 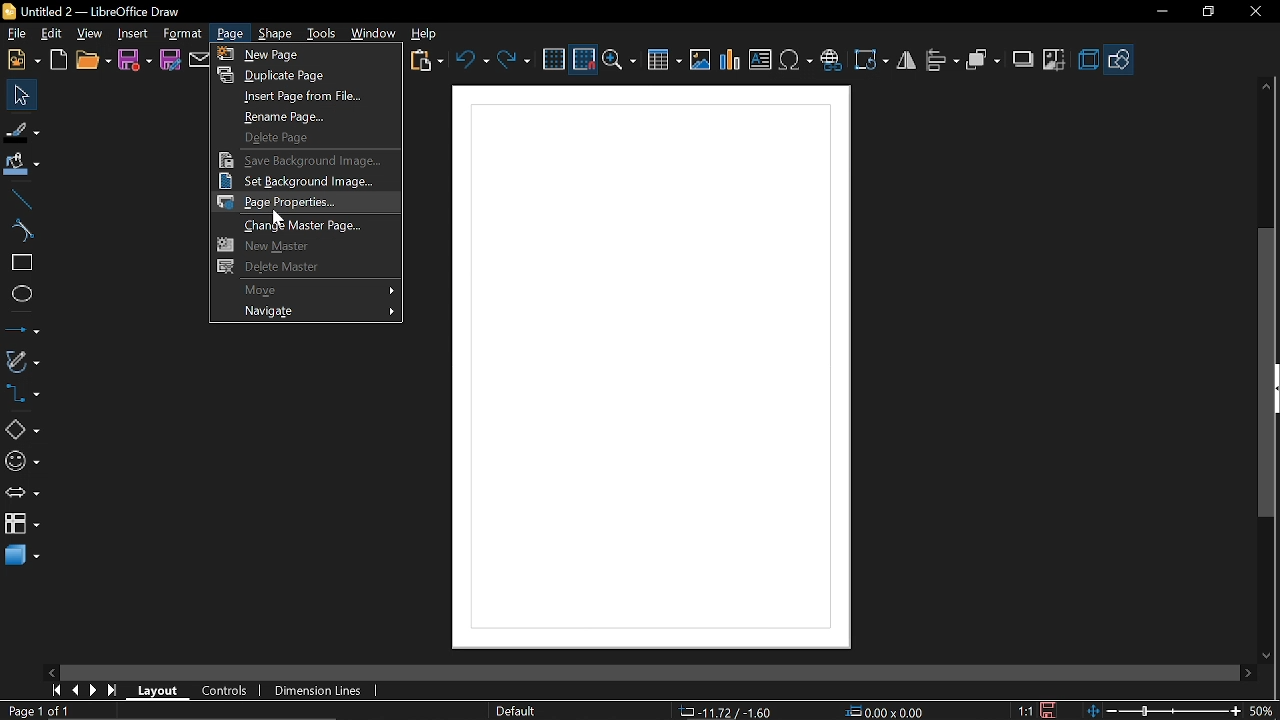 What do you see at coordinates (77, 691) in the screenshot?
I see `Previous` at bounding box center [77, 691].